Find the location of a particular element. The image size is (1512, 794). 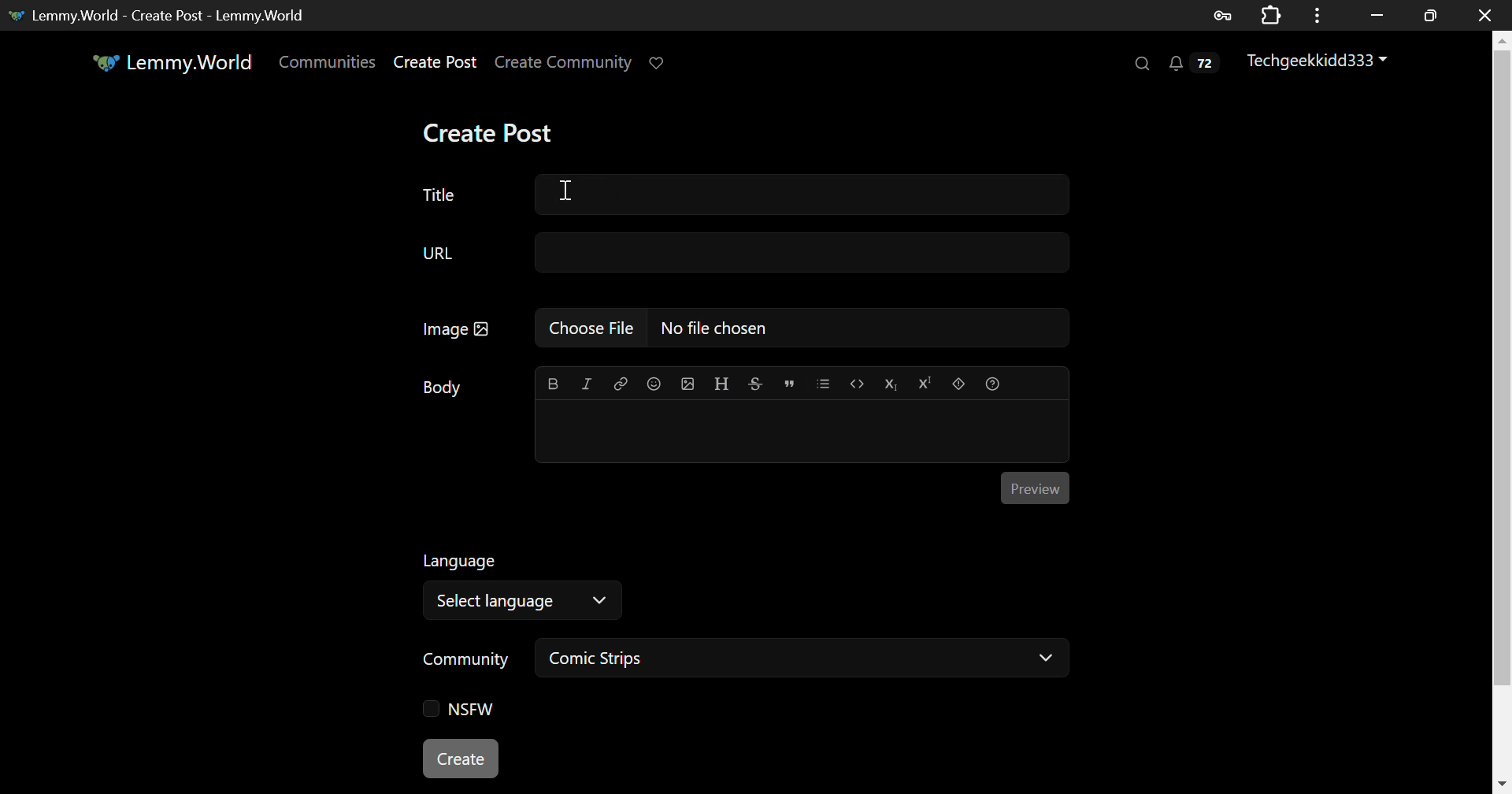

Subscript is located at coordinates (893, 384).